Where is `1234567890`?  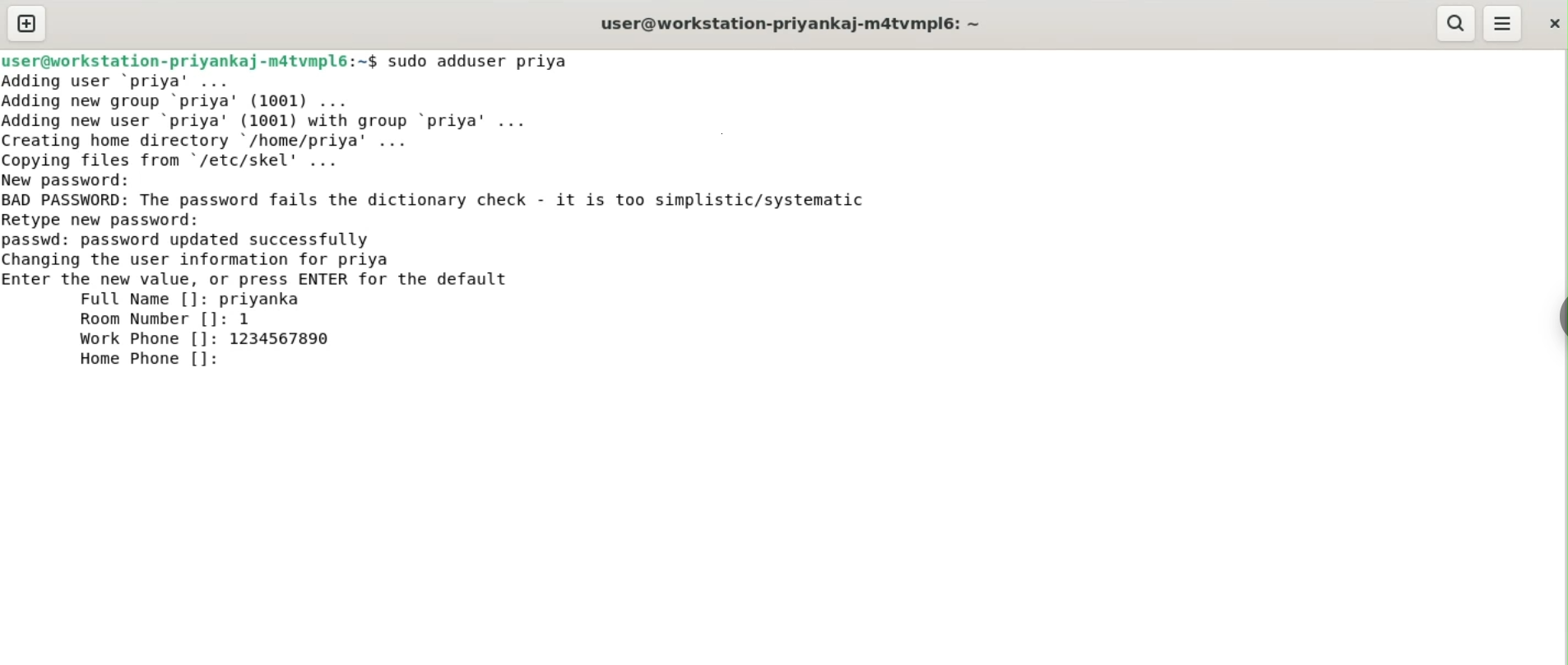
1234567890 is located at coordinates (290, 340).